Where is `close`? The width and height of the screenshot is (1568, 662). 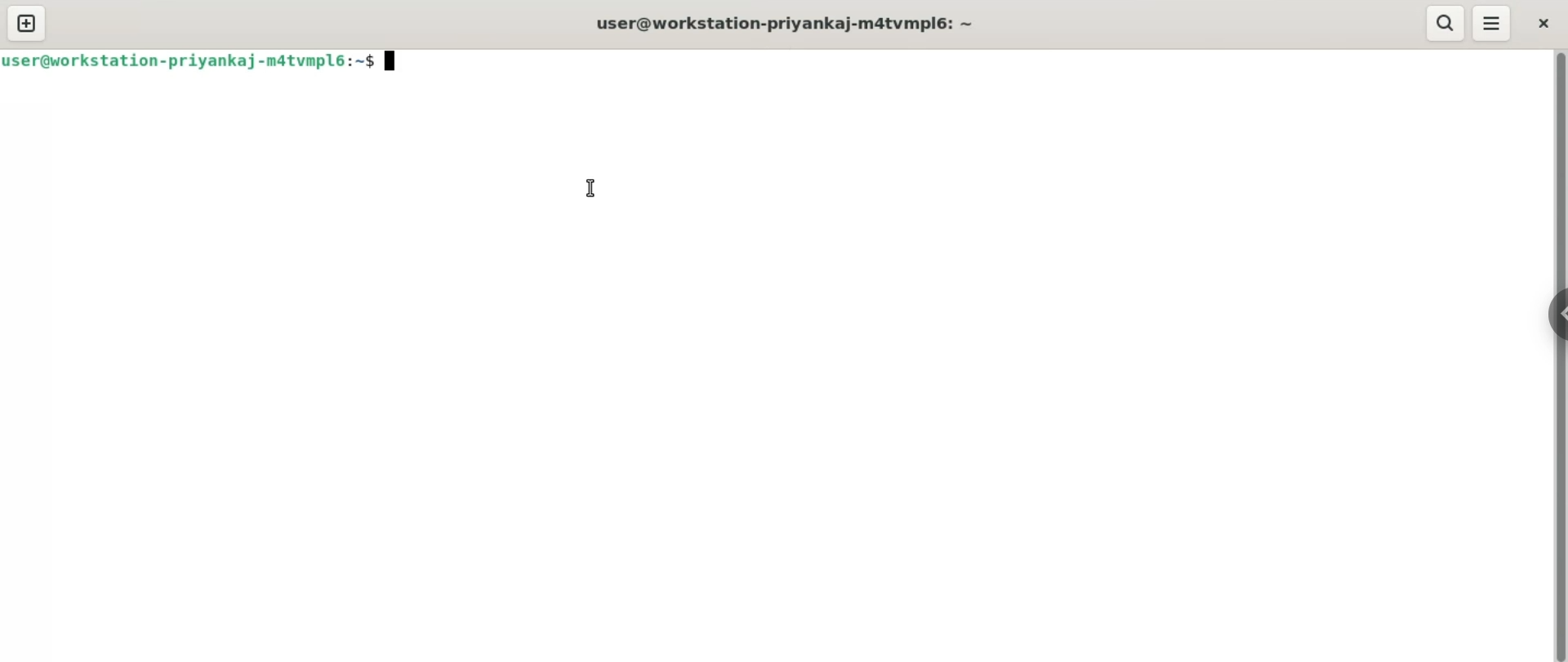 close is located at coordinates (1543, 24).